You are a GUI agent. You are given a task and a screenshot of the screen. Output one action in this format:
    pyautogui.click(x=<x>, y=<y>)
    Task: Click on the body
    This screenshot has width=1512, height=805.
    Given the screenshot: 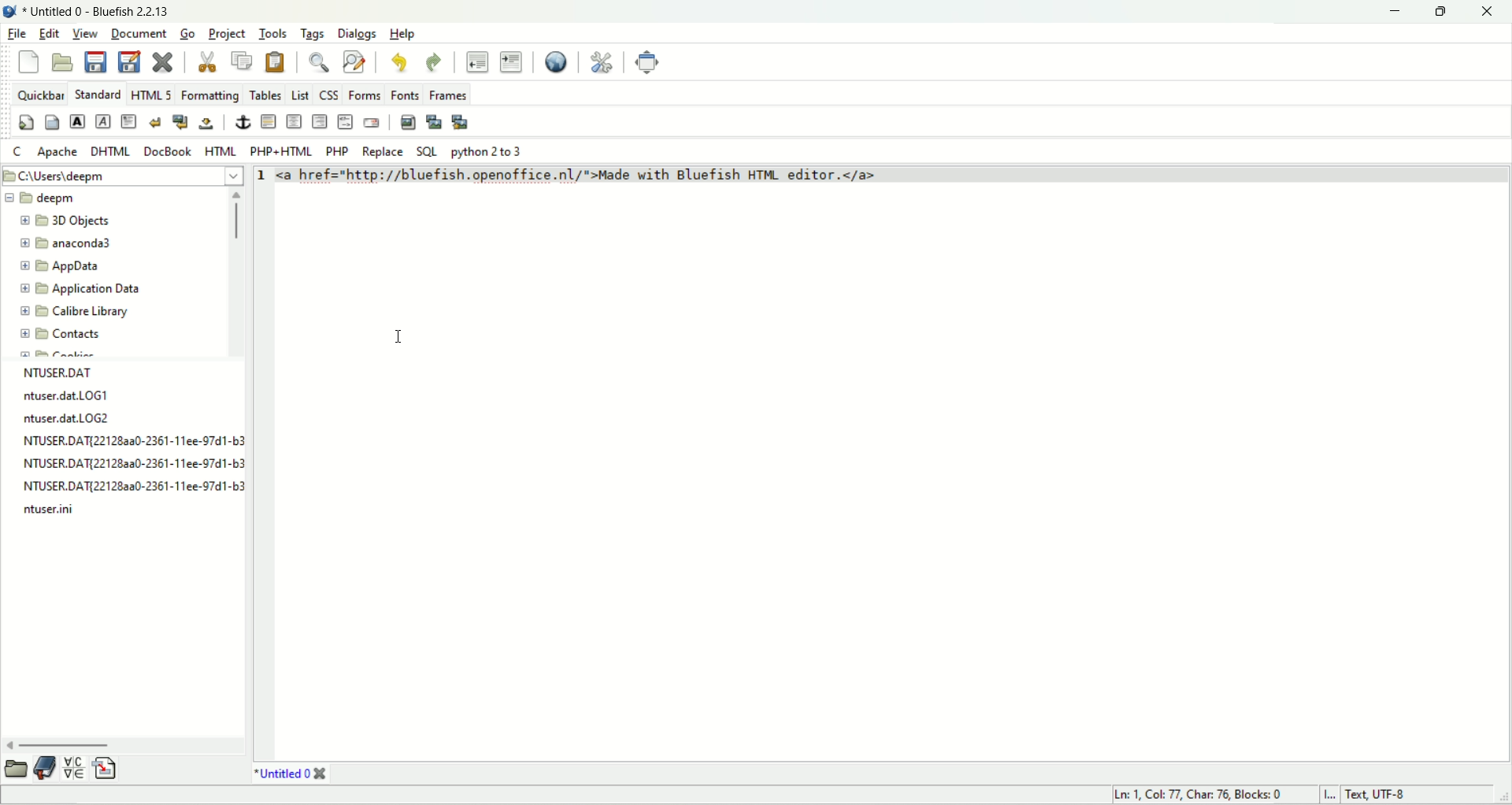 What is the action you would take?
    pyautogui.click(x=50, y=124)
    